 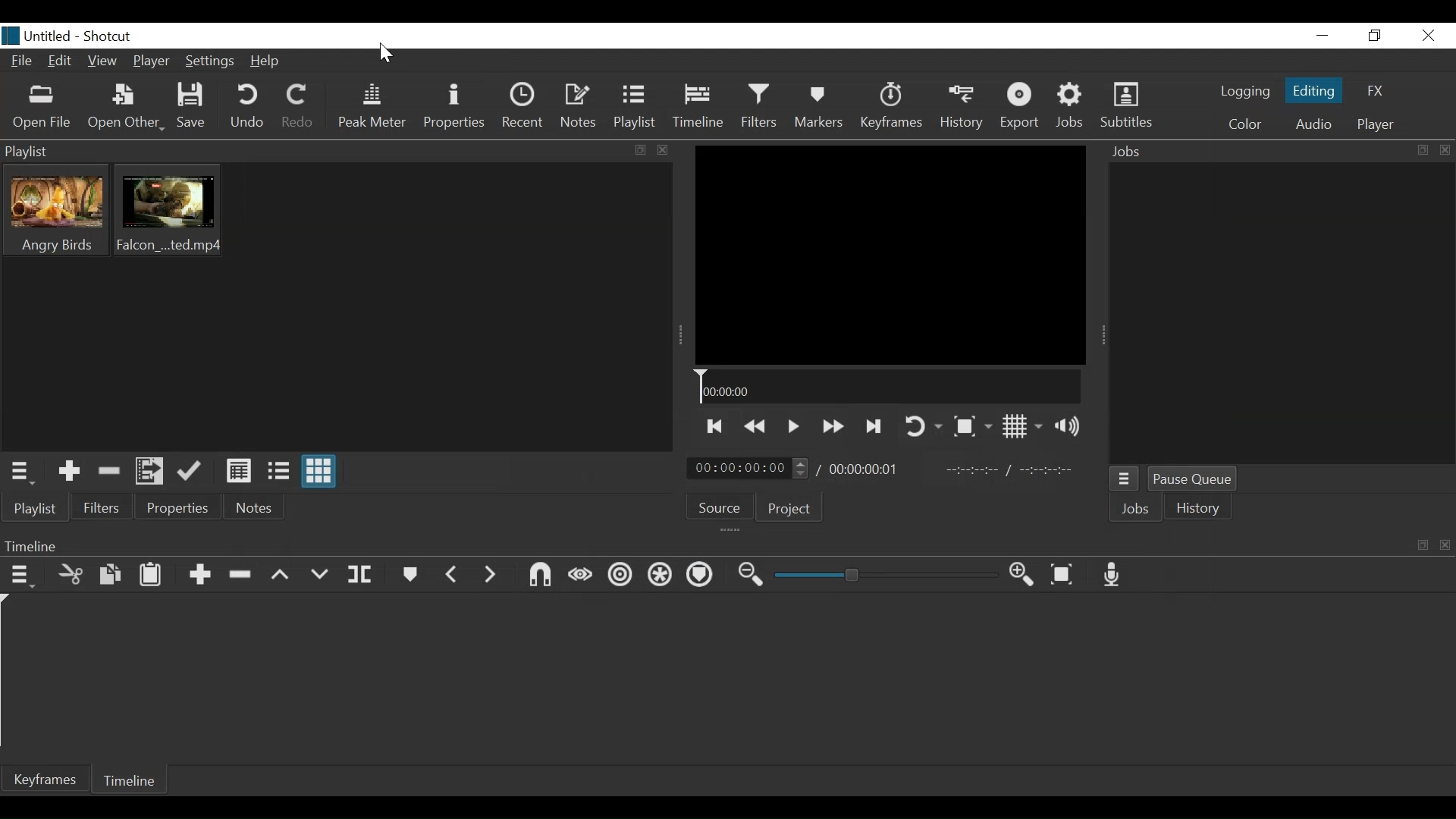 What do you see at coordinates (891, 254) in the screenshot?
I see `Media Viewer` at bounding box center [891, 254].